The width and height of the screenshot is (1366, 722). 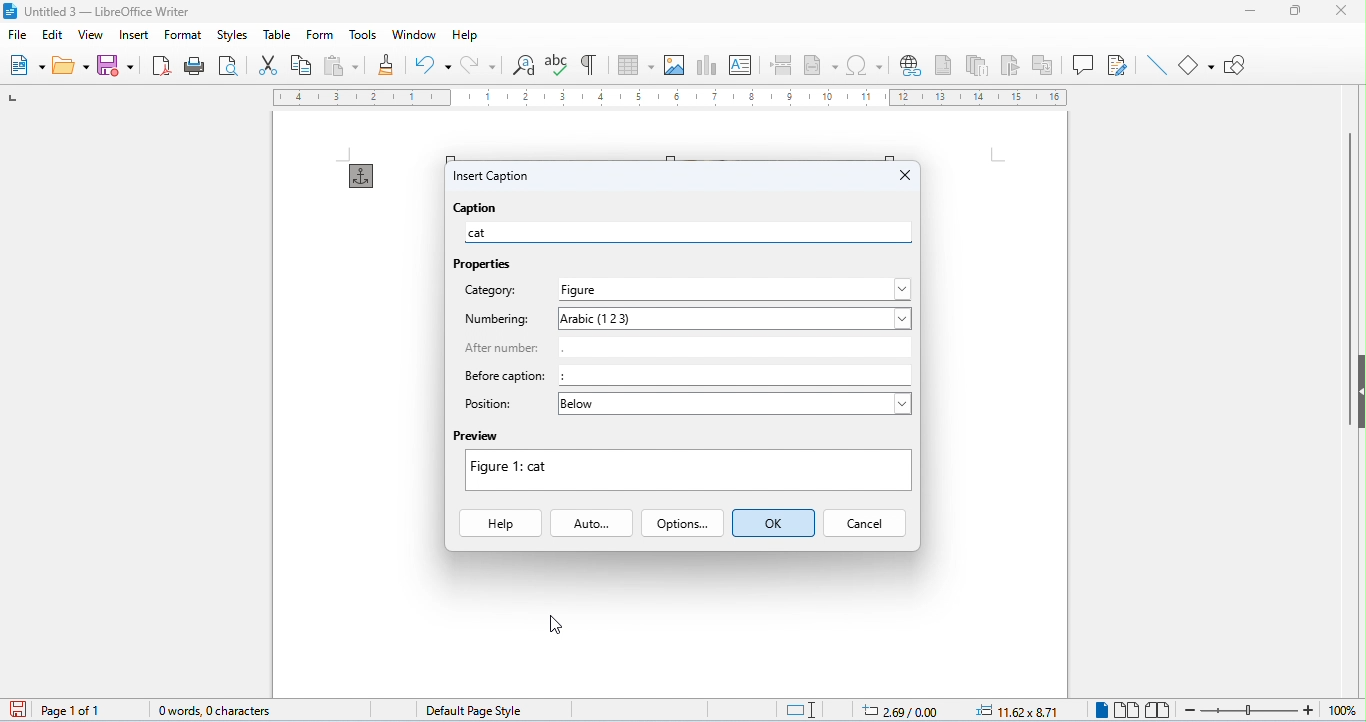 What do you see at coordinates (505, 351) in the screenshot?
I see `after number` at bounding box center [505, 351].